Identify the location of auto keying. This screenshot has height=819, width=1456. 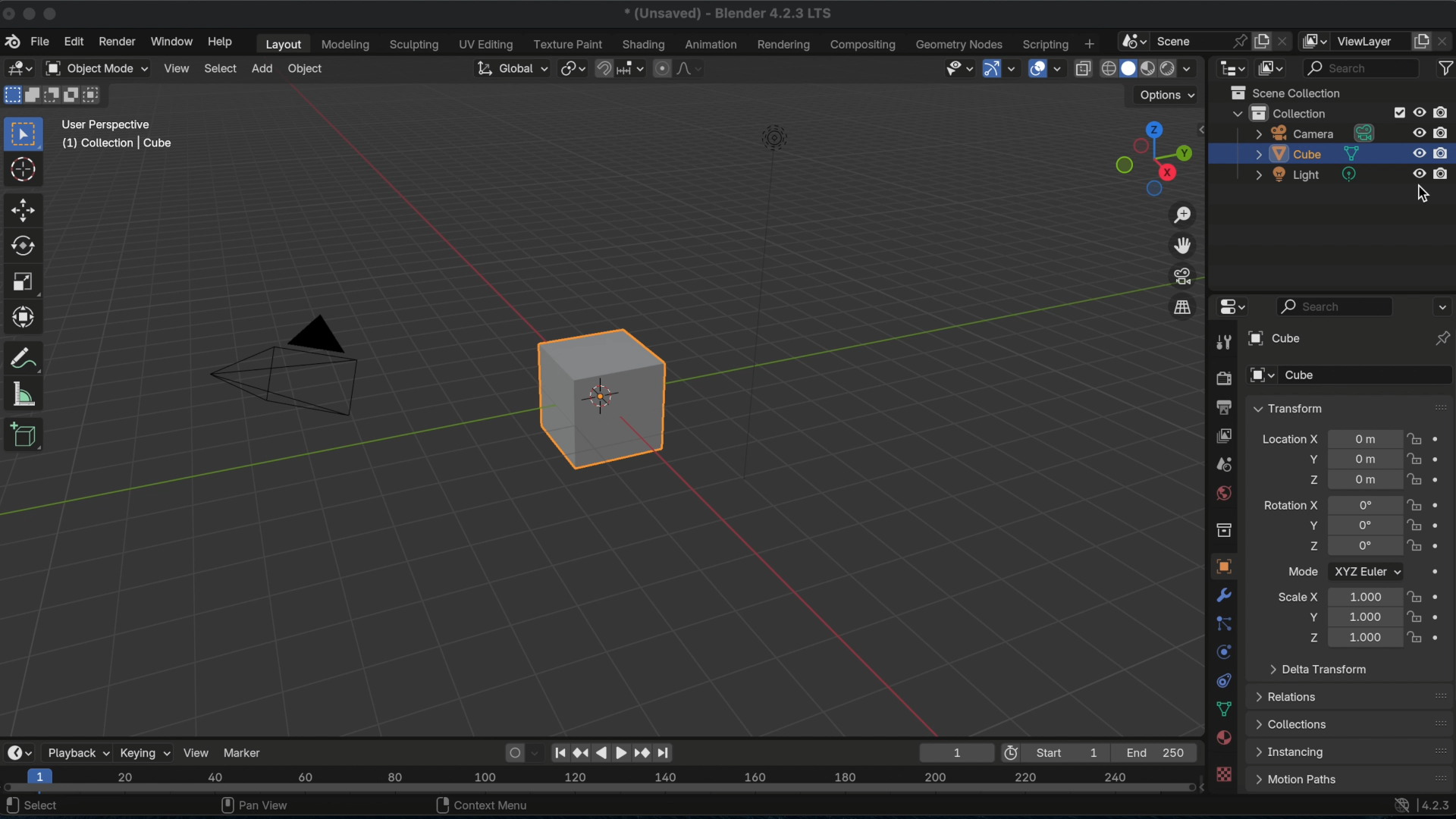
(510, 753).